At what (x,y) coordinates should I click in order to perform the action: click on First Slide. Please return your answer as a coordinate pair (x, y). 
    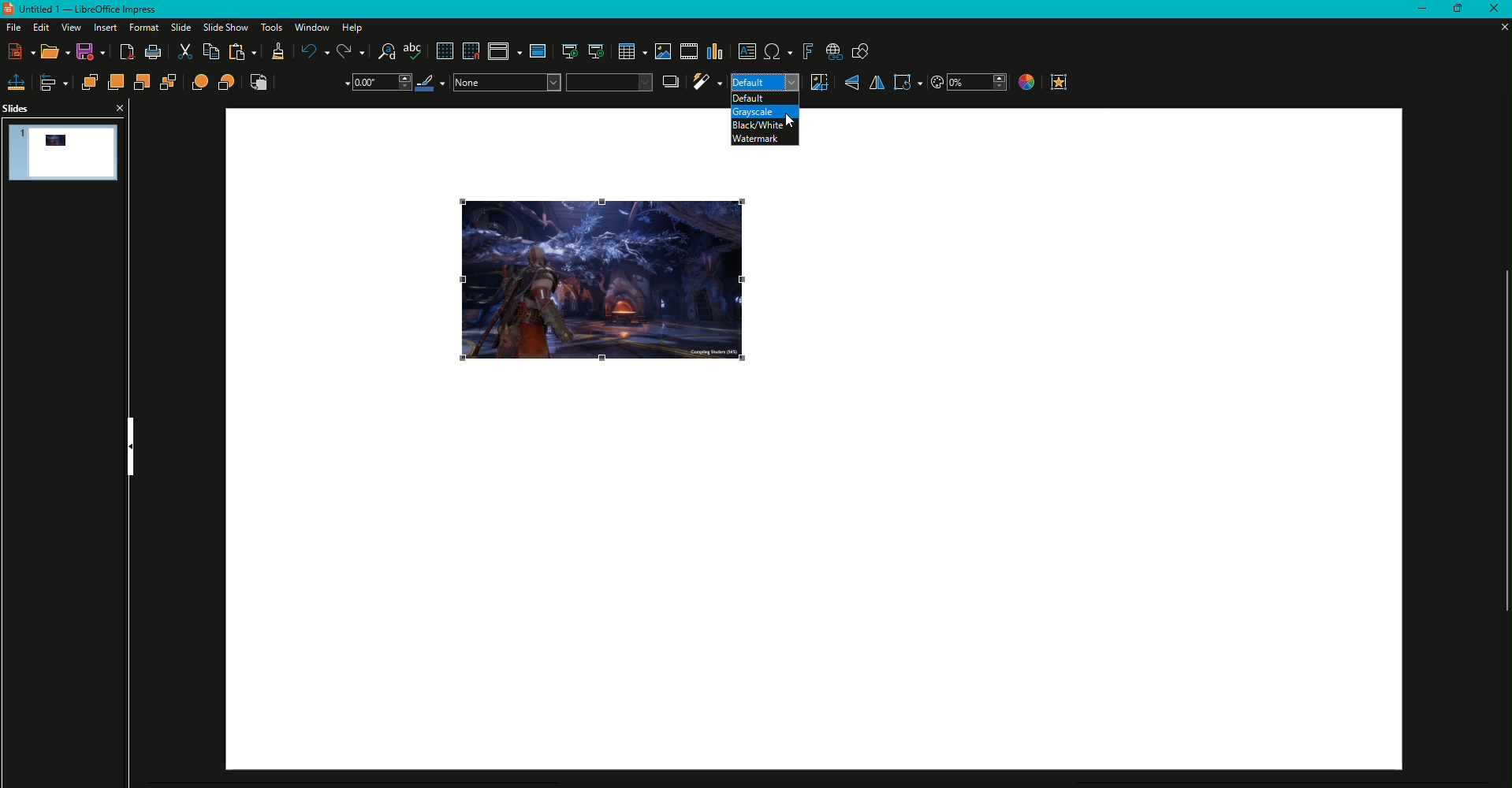
    Looking at the image, I should click on (568, 53).